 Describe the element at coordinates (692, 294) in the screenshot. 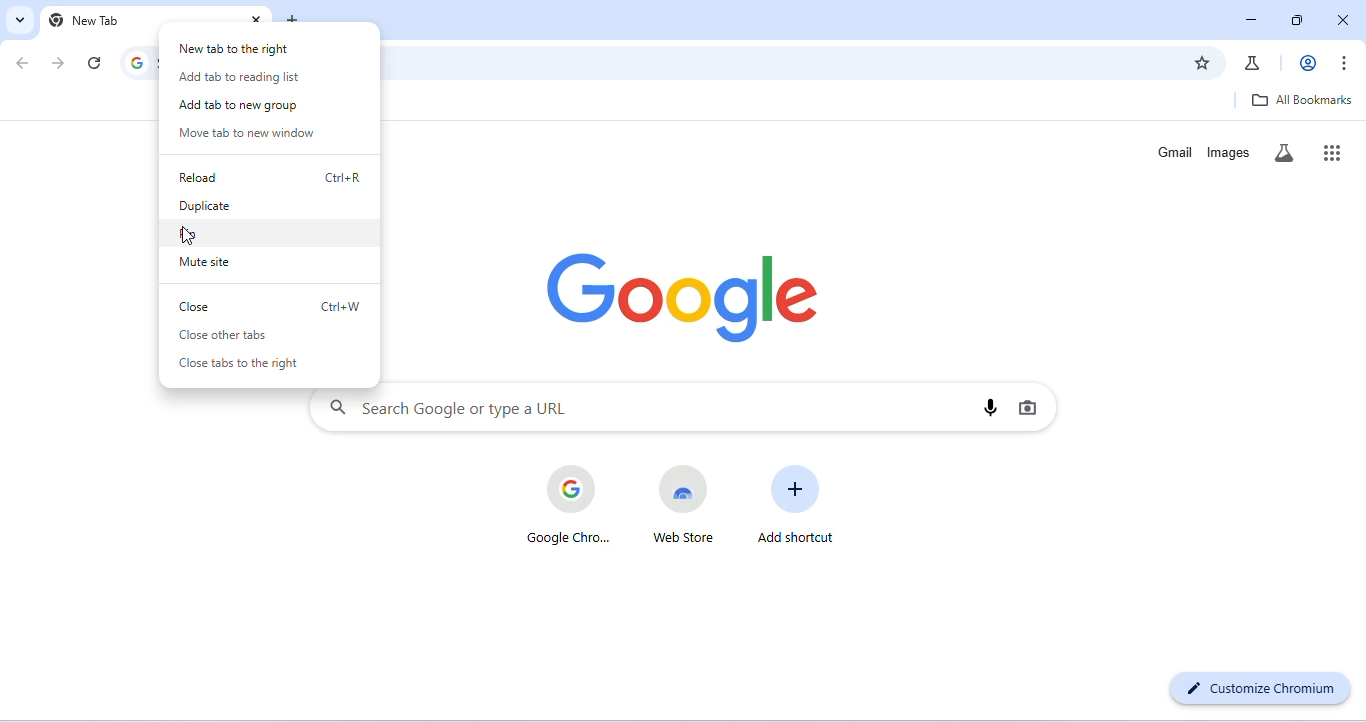

I see `google logo` at that location.